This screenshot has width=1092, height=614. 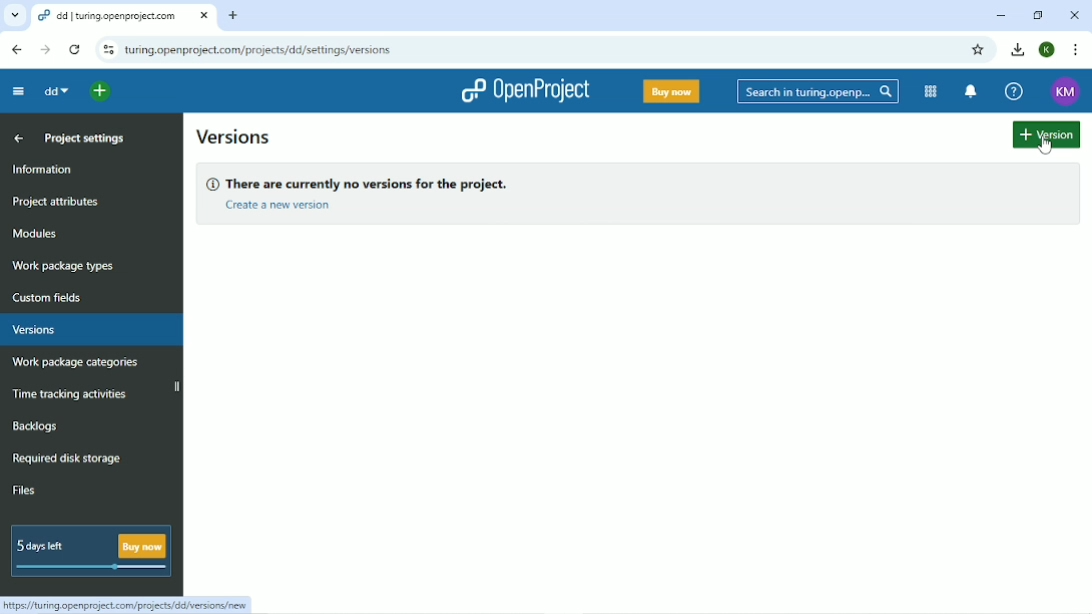 What do you see at coordinates (84, 137) in the screenshot?
I see `Project settings` at bounding box center [84, 137].